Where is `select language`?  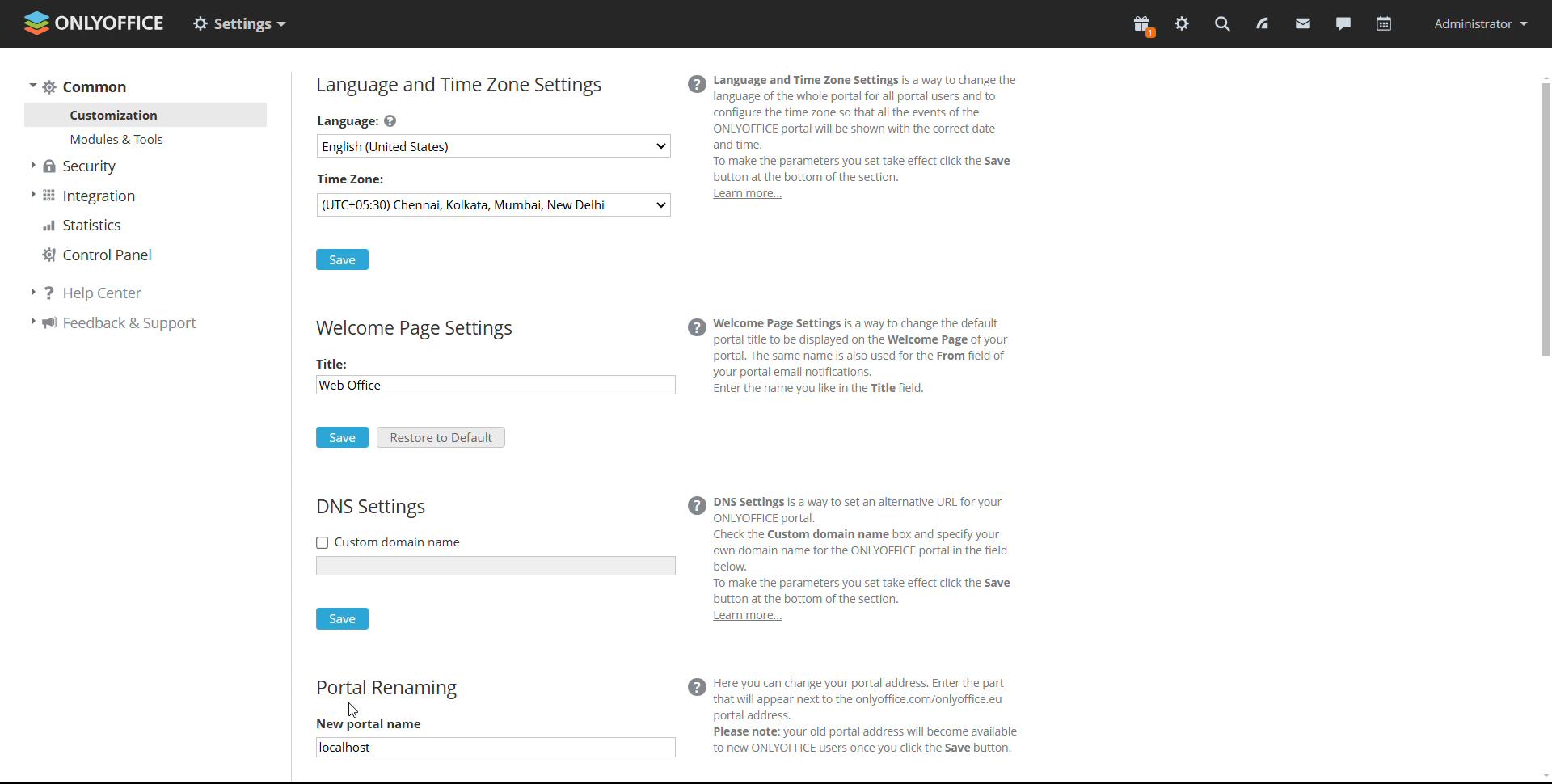
select language is located at coordinates (494, 145).